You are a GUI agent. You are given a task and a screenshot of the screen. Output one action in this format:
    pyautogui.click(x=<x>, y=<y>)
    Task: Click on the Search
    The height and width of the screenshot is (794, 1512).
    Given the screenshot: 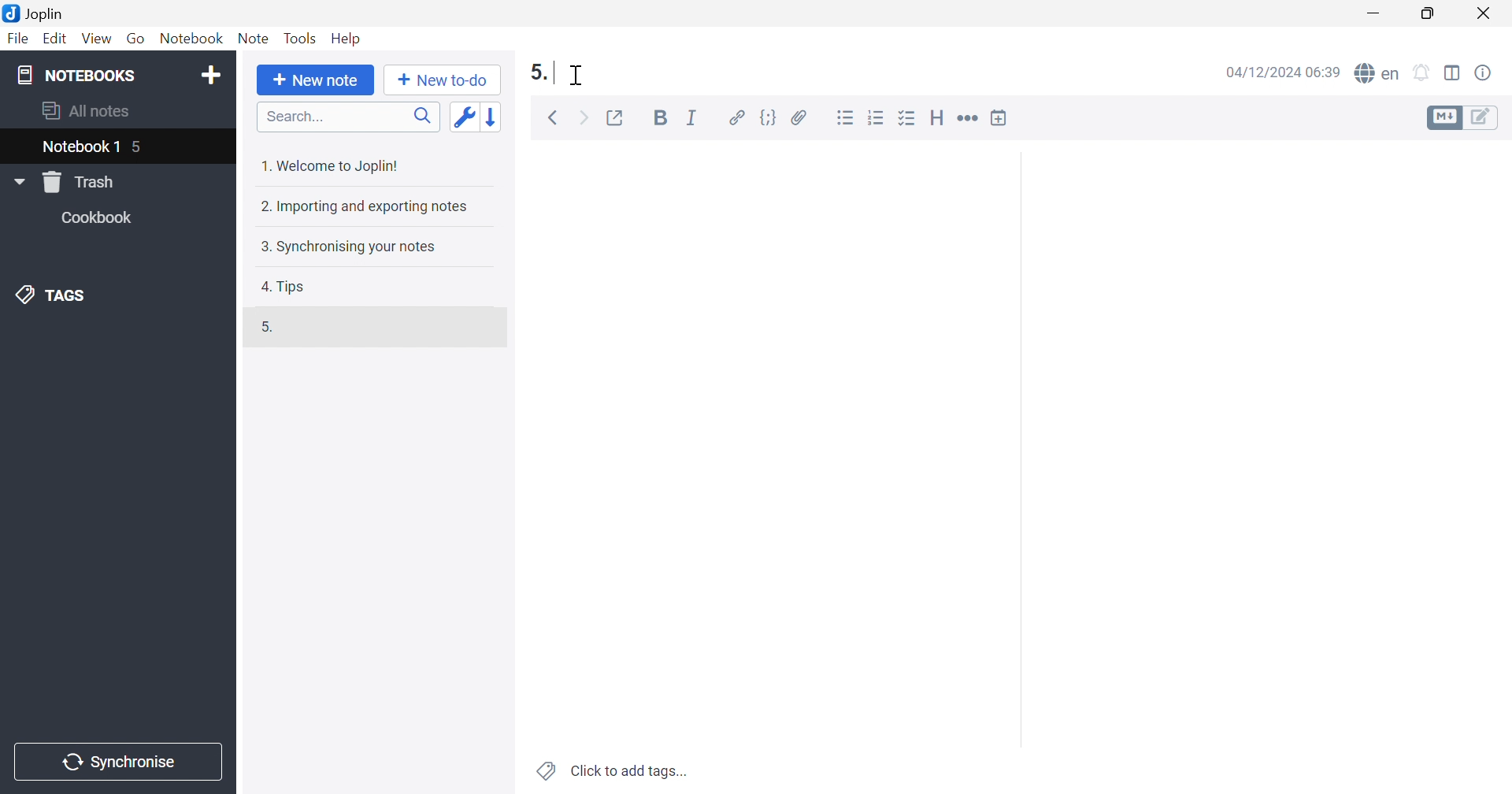 What is the action you would take?
    pyautogui.click(x=343, y=117)
    